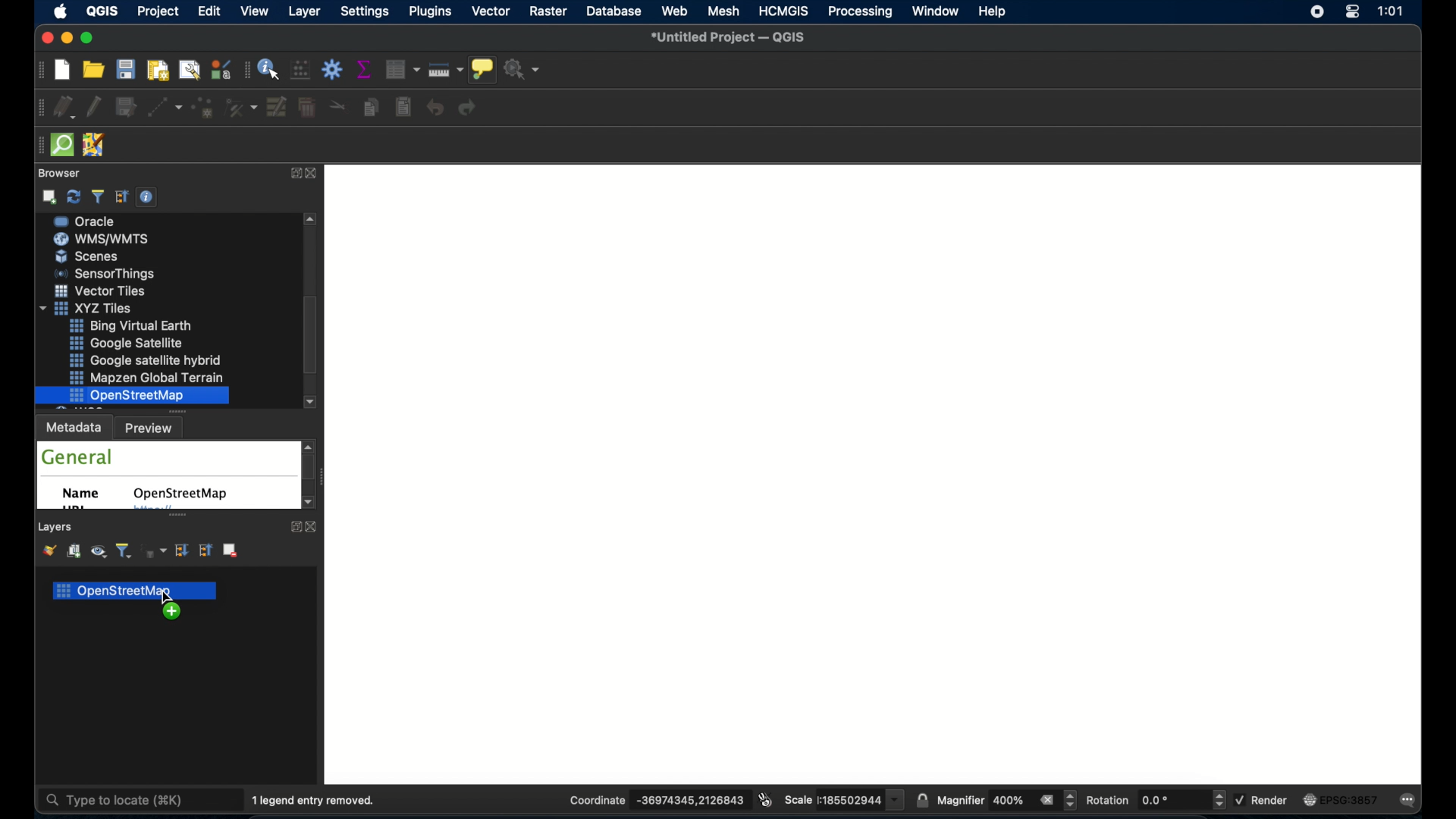 This screenshot has width=1456, height=819. Describe the element at coordinates (1343, 801) in the screenshot. I see `current crs` at that location.